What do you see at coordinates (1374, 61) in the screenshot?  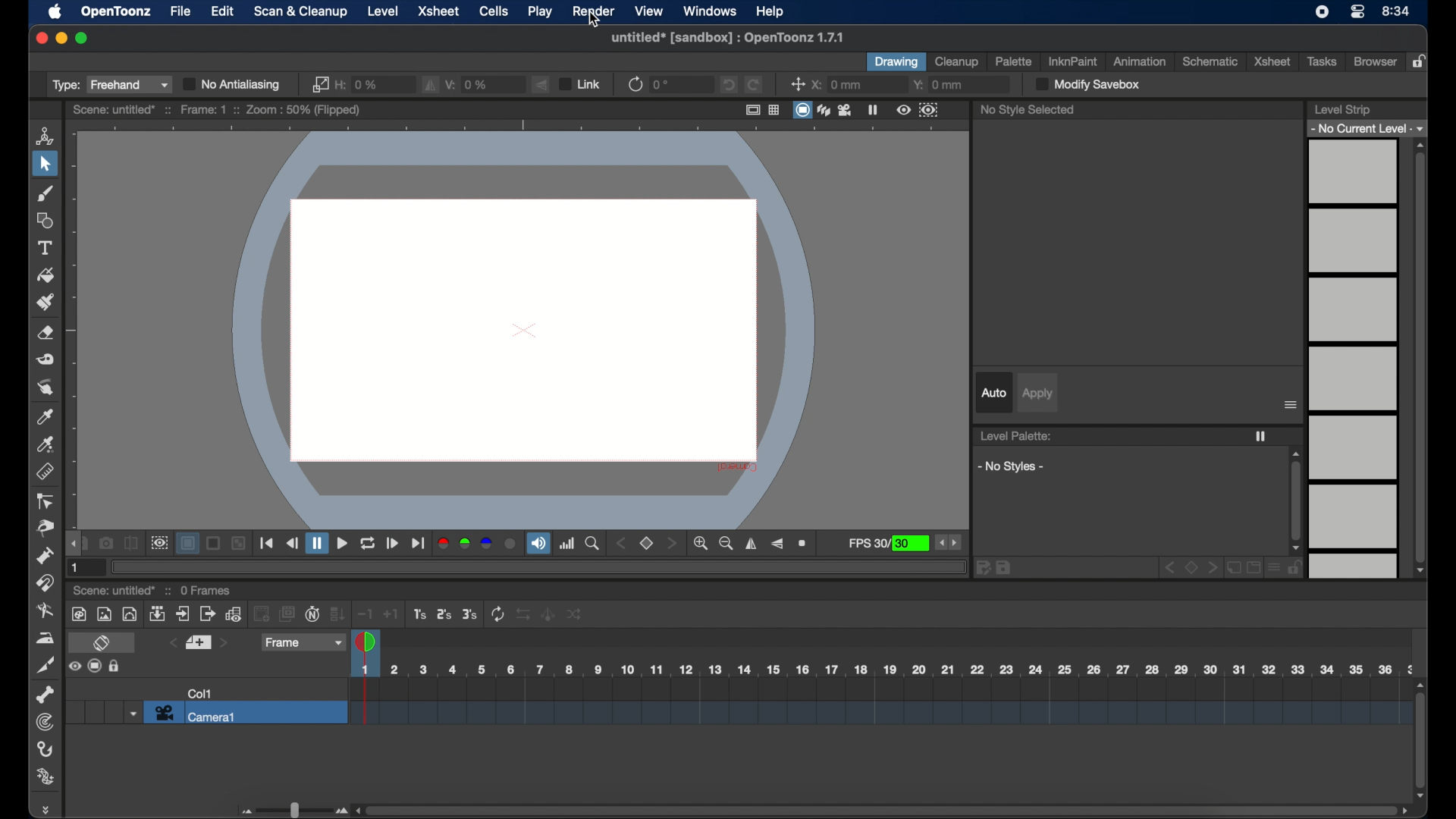 I see `browser` at bounding box center [1374, 61].